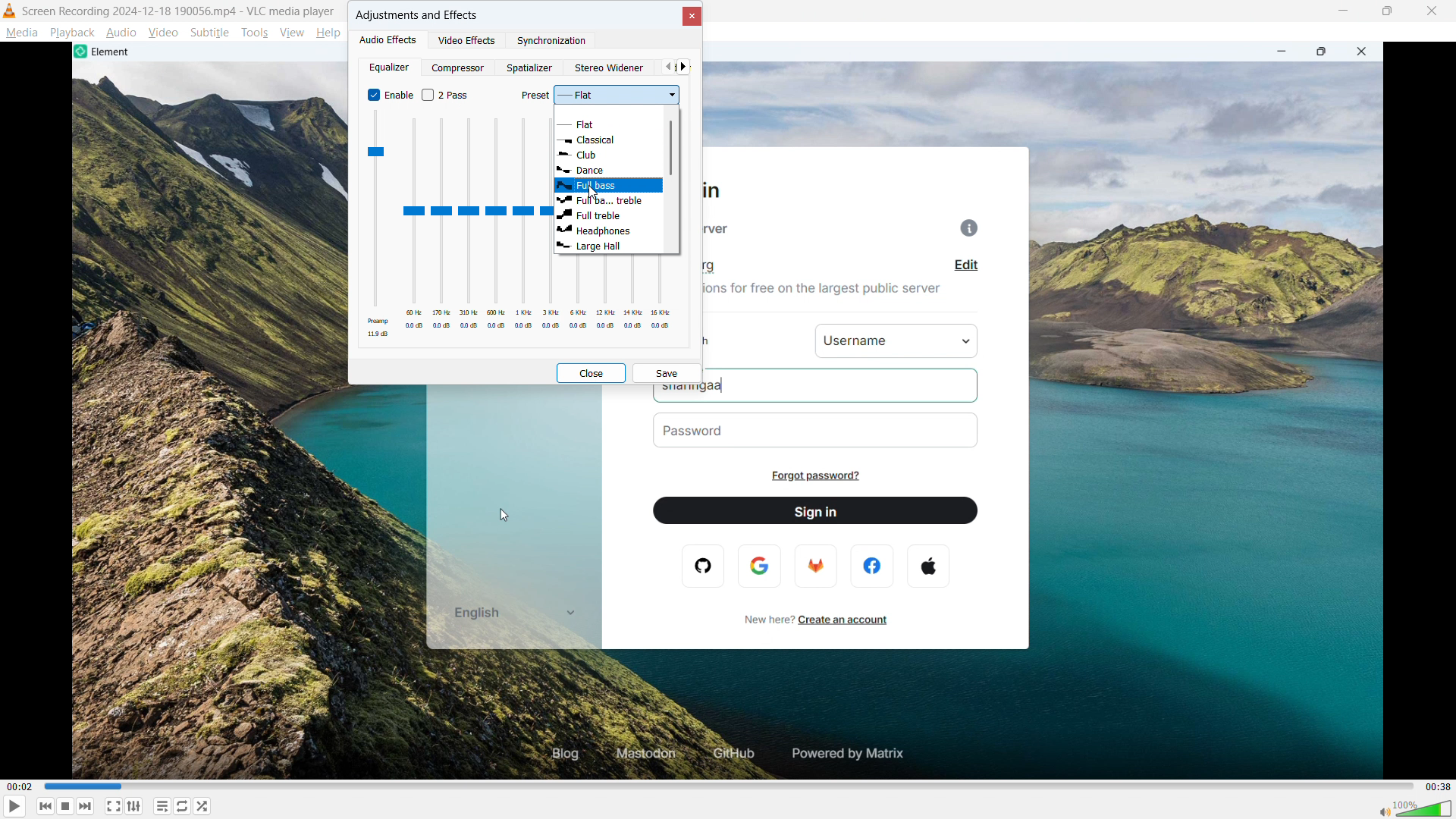  Describe the element at coordinates (608, 201) in the screenshot. I see `Full bass and treble ` at that location.